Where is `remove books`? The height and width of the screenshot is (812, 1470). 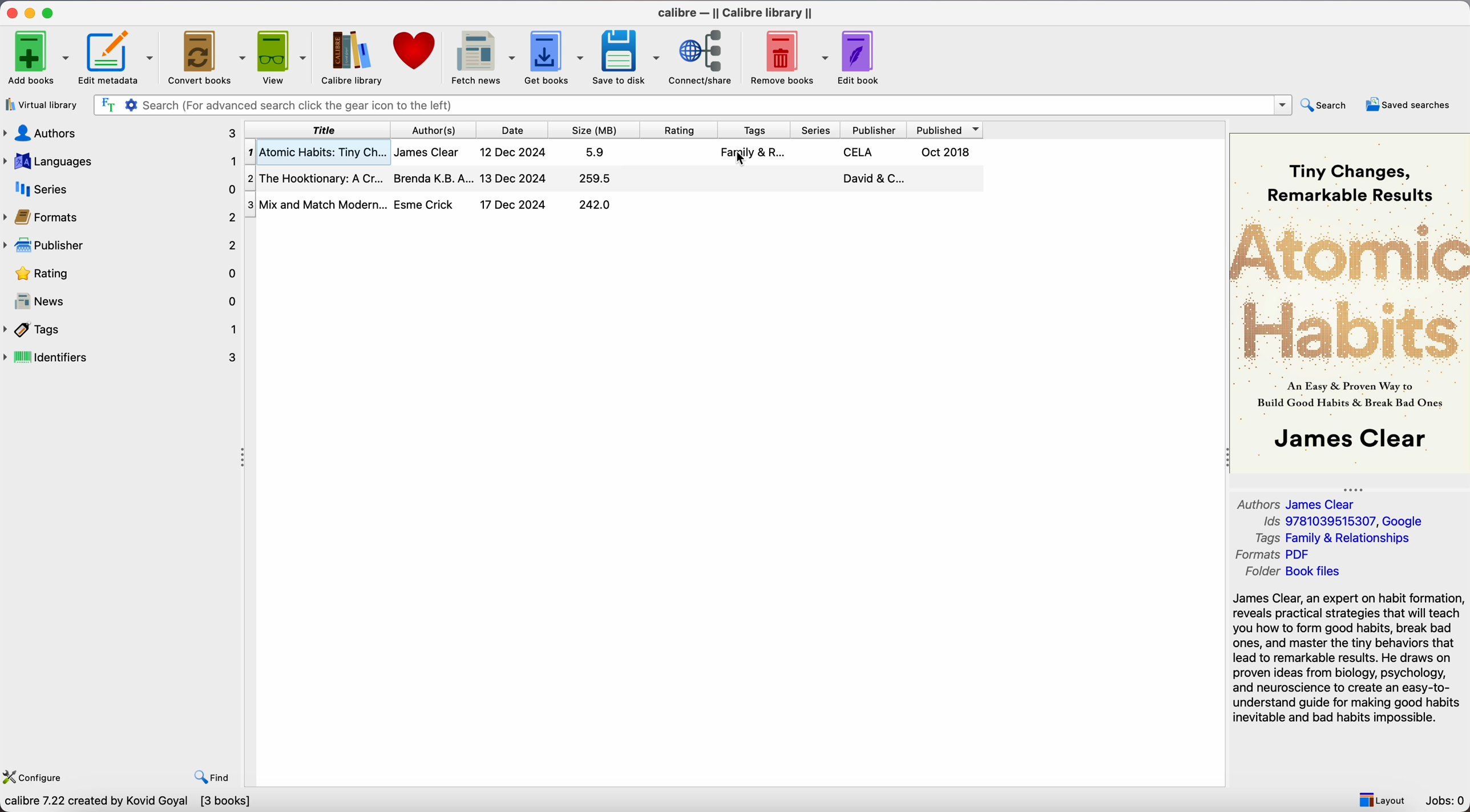
remove books is located at coordinates (785, 56).